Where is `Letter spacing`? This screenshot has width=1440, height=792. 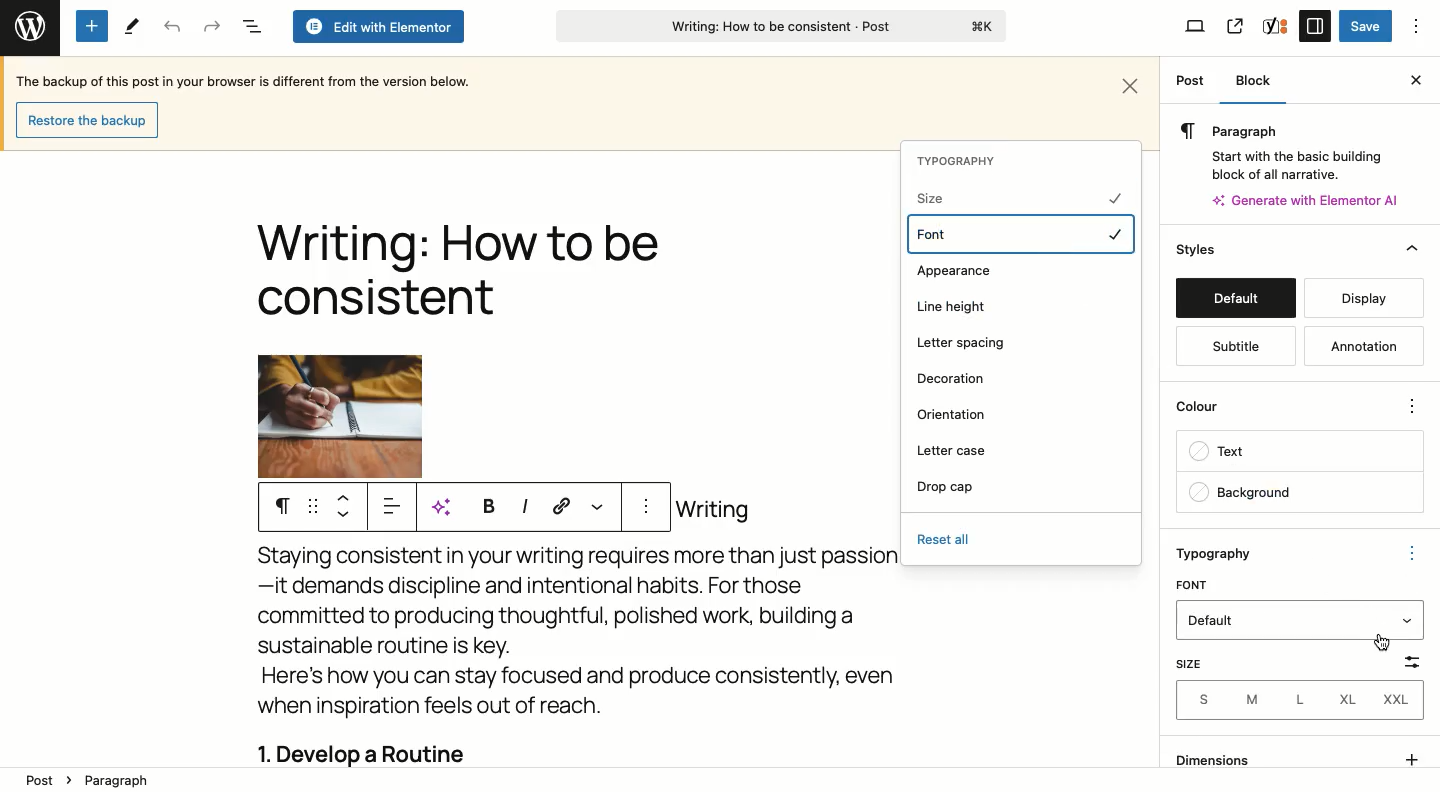 Letter spacing is located at coordinates (964, 343).